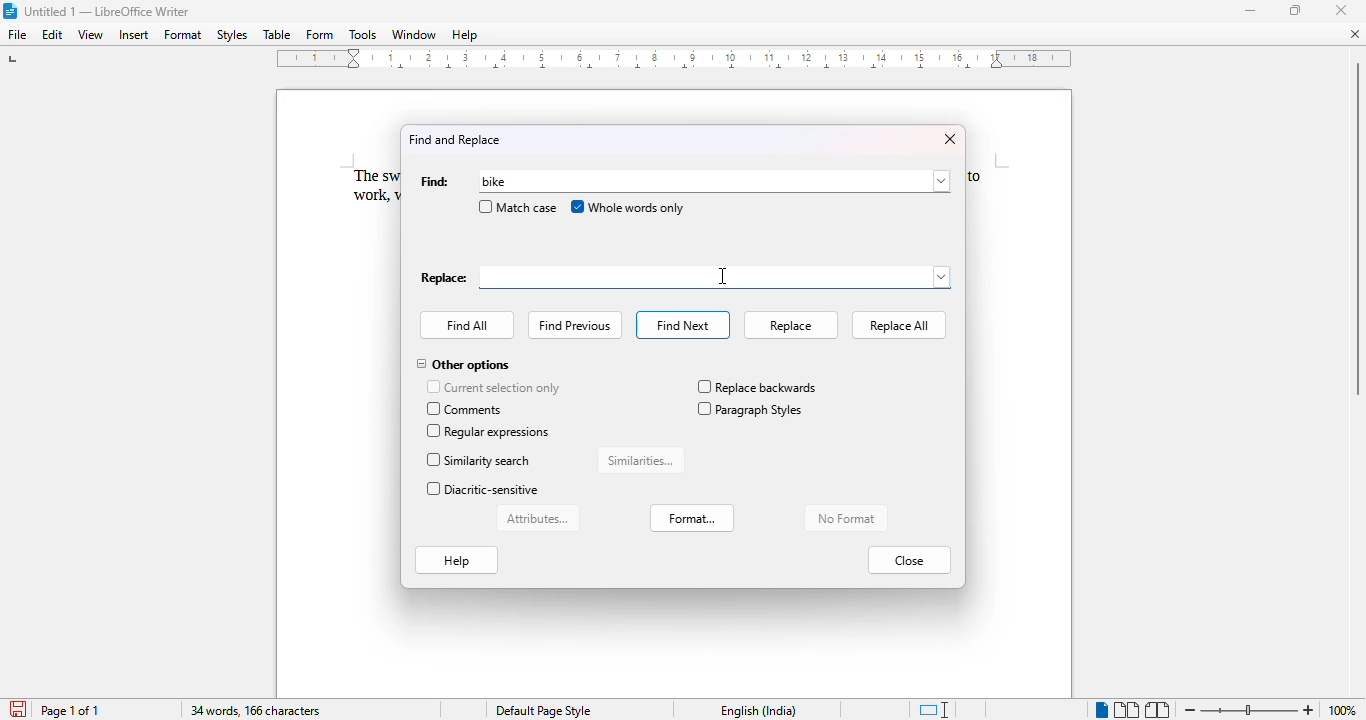 The image size is (1366, 720). I want to click on typing, so click(493, 181).